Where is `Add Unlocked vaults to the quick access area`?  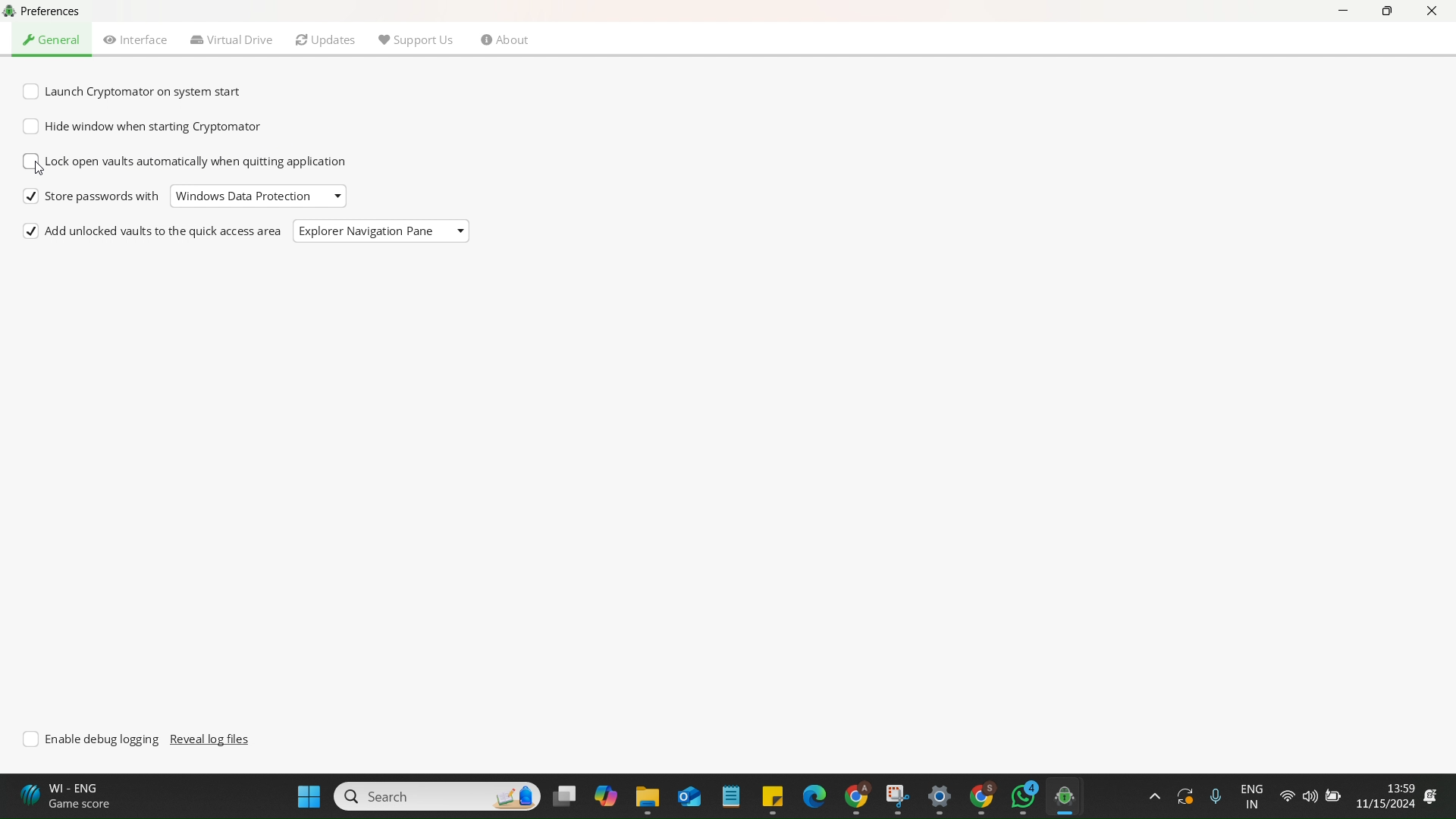
Add Unlocked vaults to the quick access area is located at coordinates (154, 233).